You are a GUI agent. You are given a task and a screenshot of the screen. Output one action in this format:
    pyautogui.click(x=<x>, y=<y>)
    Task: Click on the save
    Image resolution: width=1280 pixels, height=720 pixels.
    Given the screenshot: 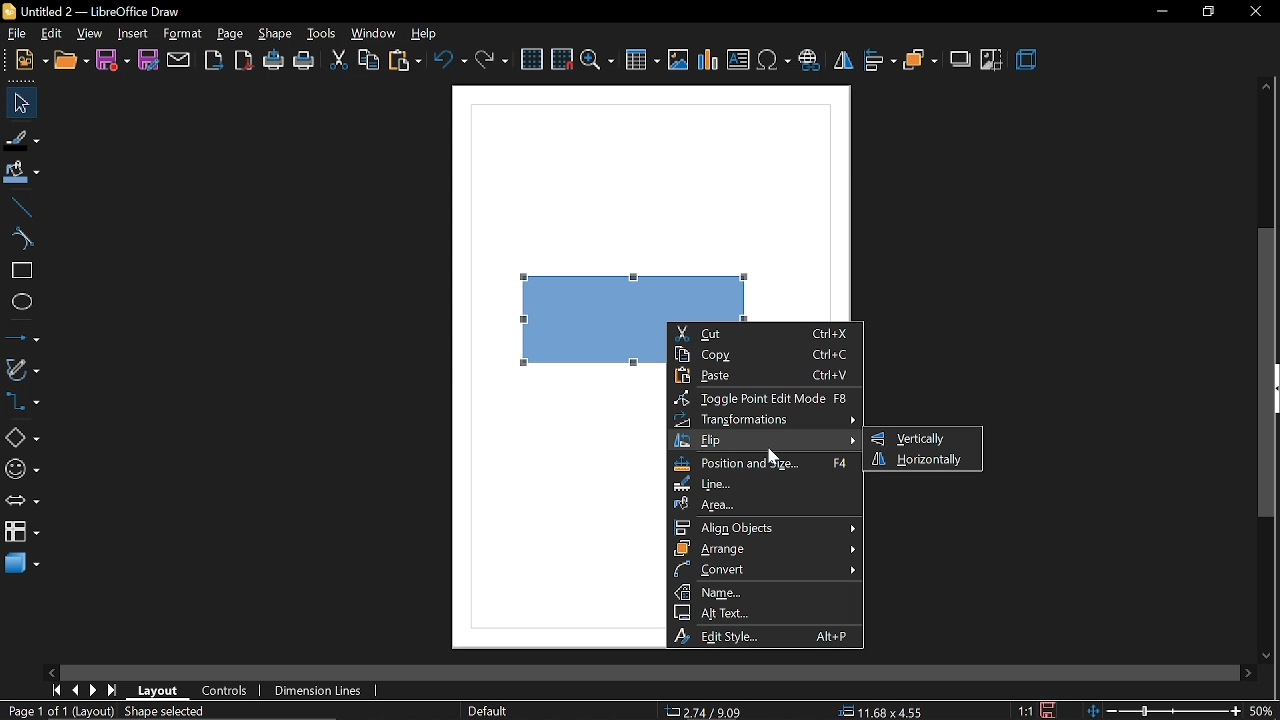 What is the action you would take?
    pyautogui.click(x=1050, y=709)
    